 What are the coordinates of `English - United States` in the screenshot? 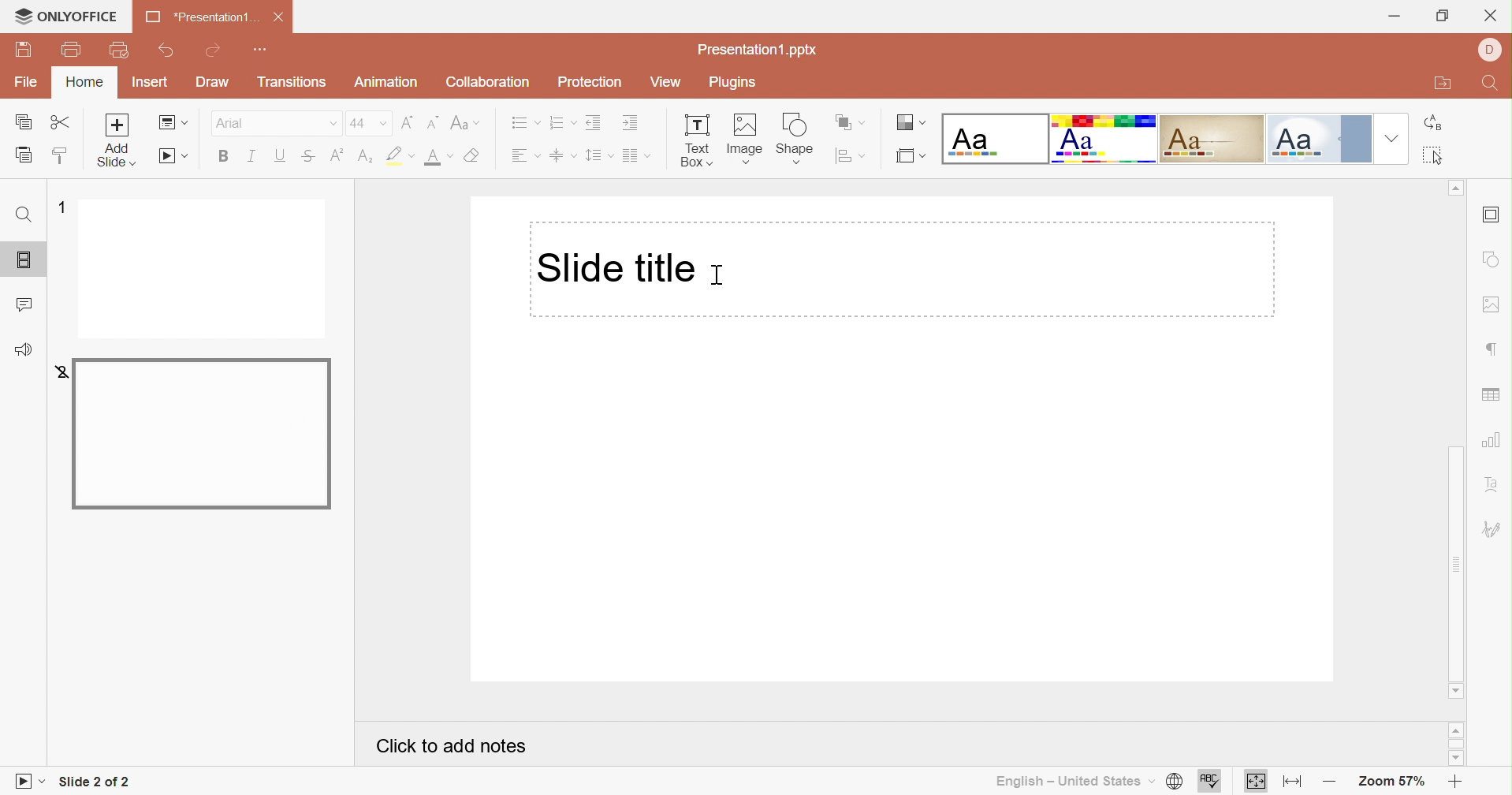 It's located at (1072, 781).